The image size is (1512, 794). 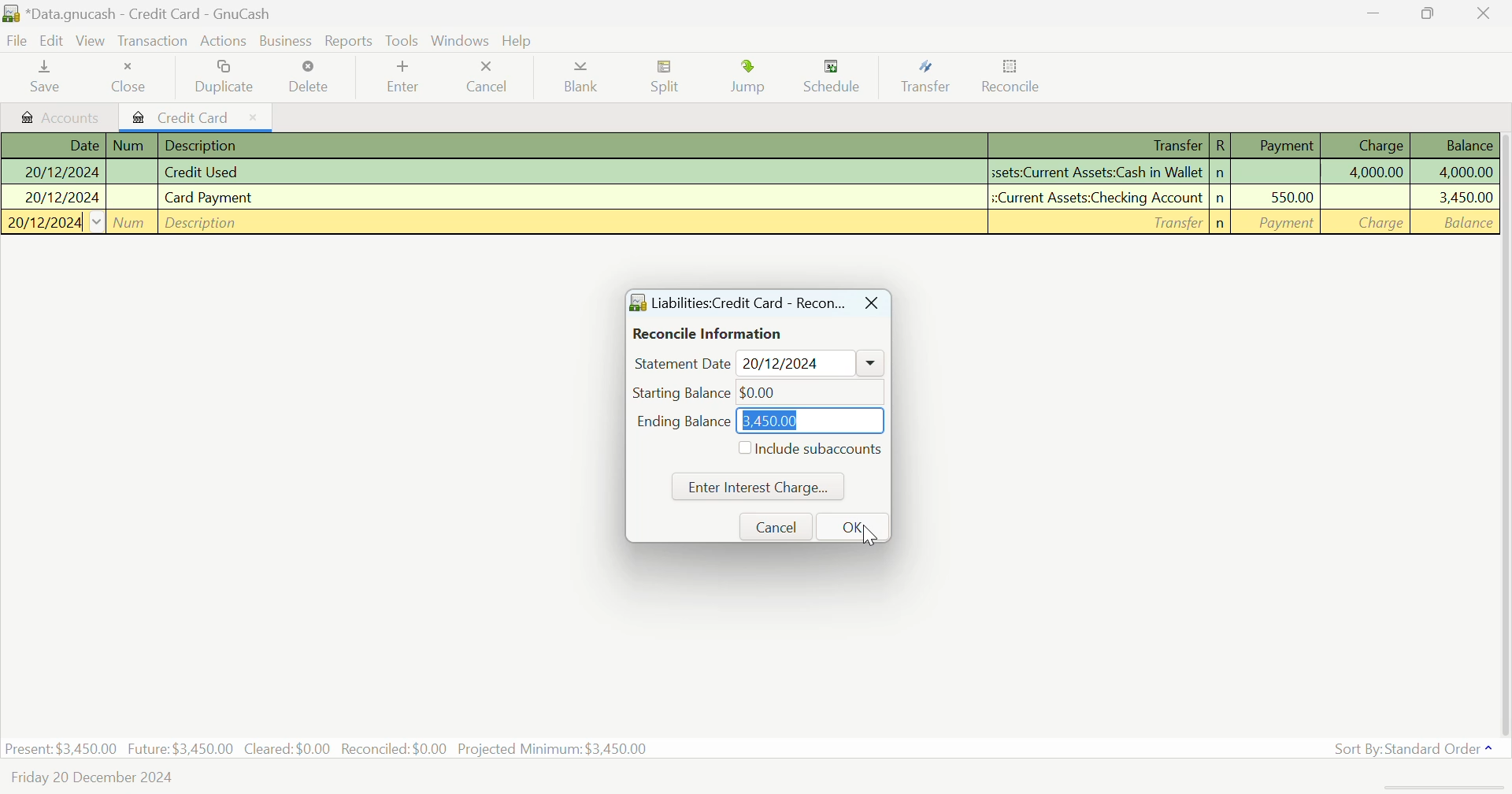 I want to click on Credit Card, so click(x=198, y=117).